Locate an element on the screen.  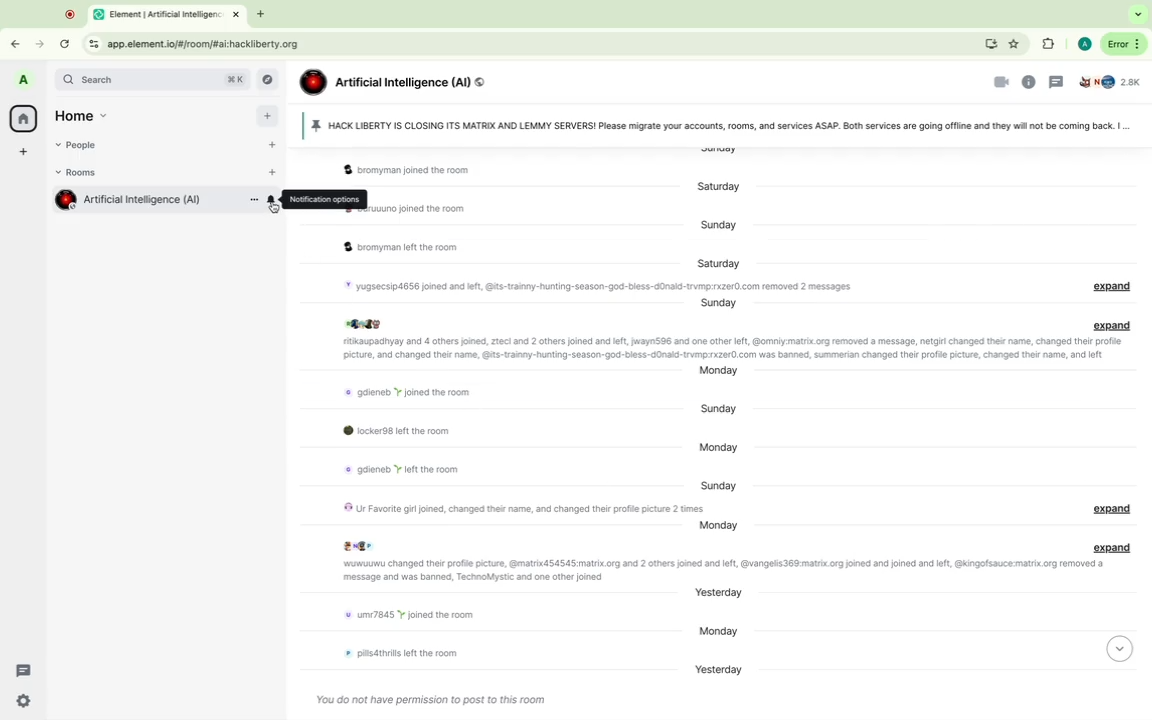
Room options is located at coordinates (253, 200).